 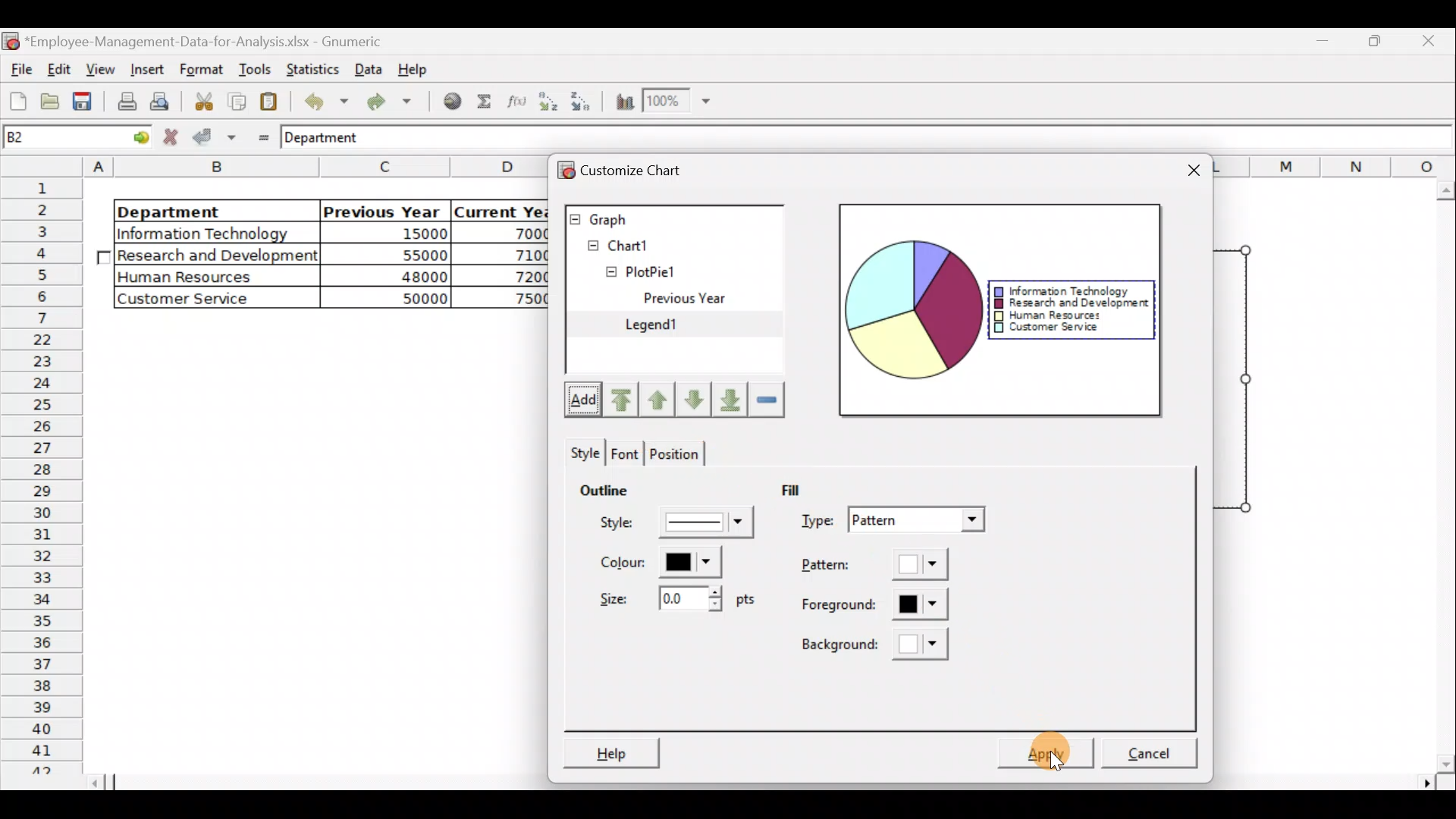 I want to click on Point to previous year, so click(x=664, y=476).